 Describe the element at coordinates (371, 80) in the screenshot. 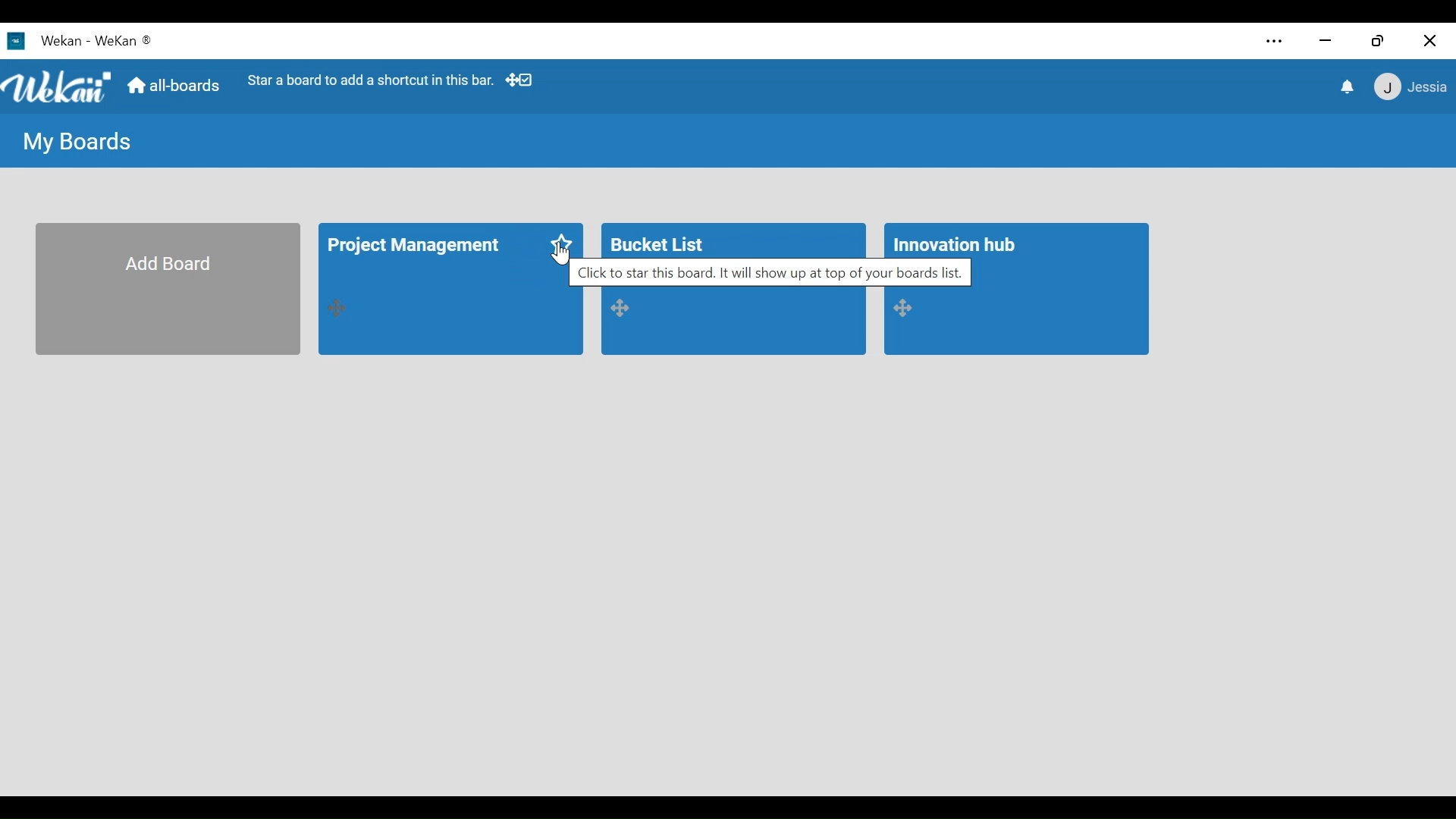

I see `Star a board to add a shortcut in this bar` at that location.